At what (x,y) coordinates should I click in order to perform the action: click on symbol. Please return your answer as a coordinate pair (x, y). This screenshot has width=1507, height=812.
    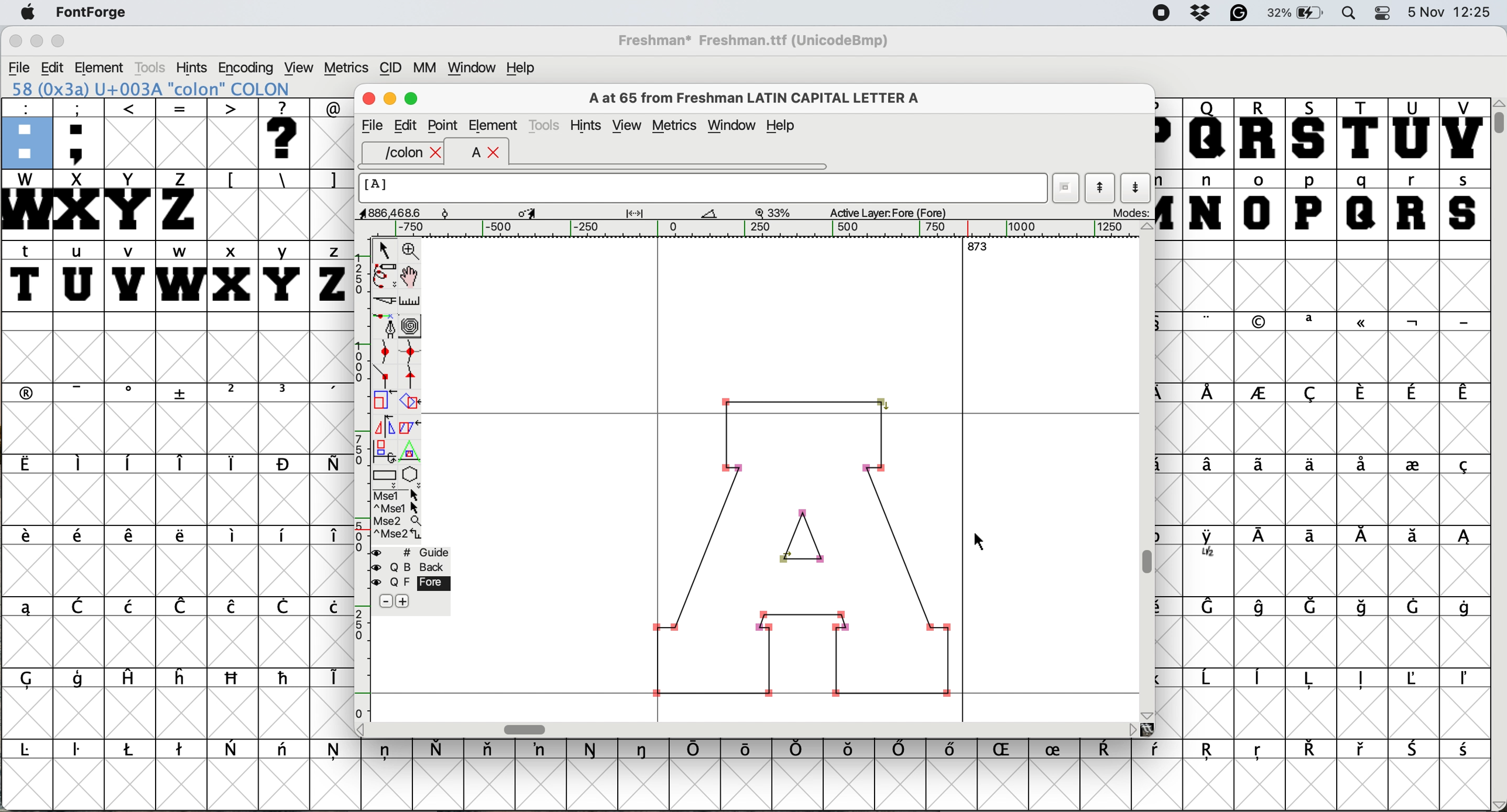
    Looking at the image, I should click on (232, 748).